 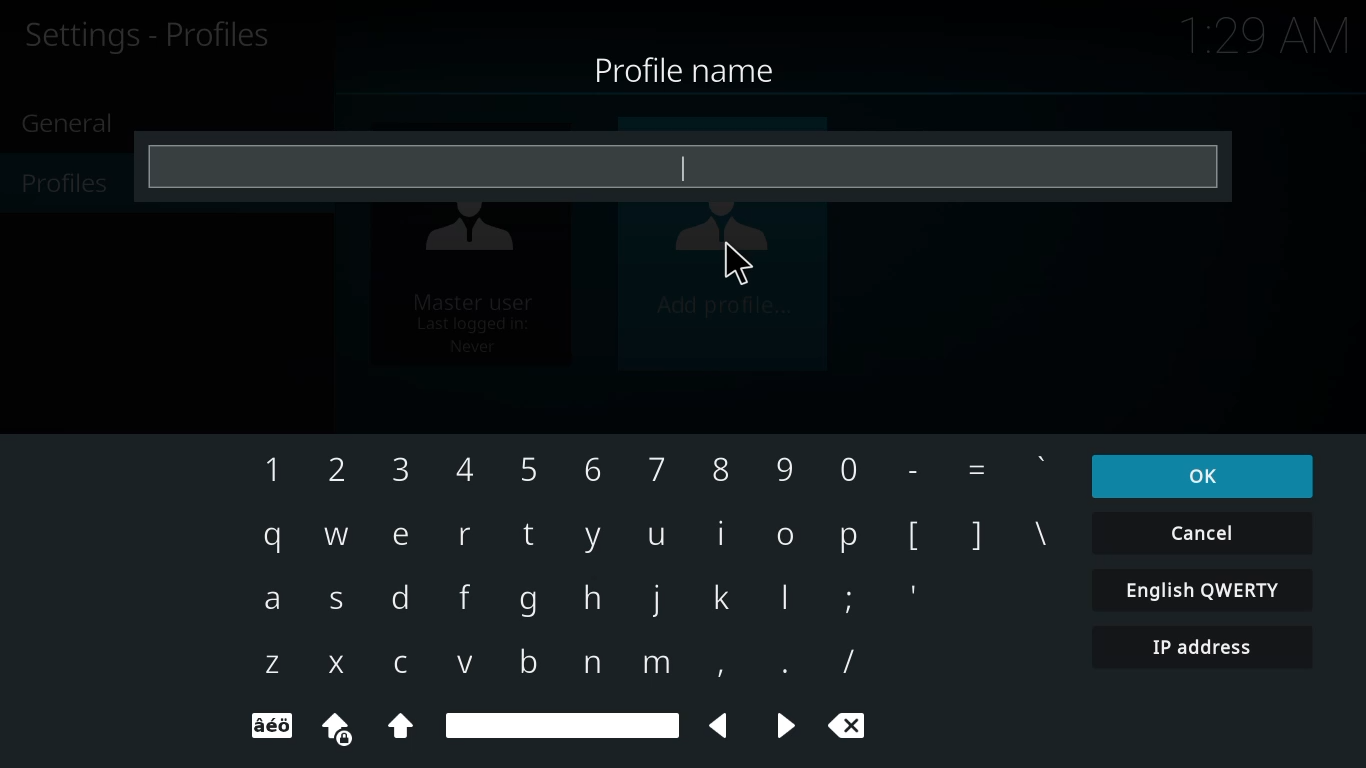 What do you see at coordinates (402, 473) in the screenshot?
I see `3` at bounding box center [402, 473].